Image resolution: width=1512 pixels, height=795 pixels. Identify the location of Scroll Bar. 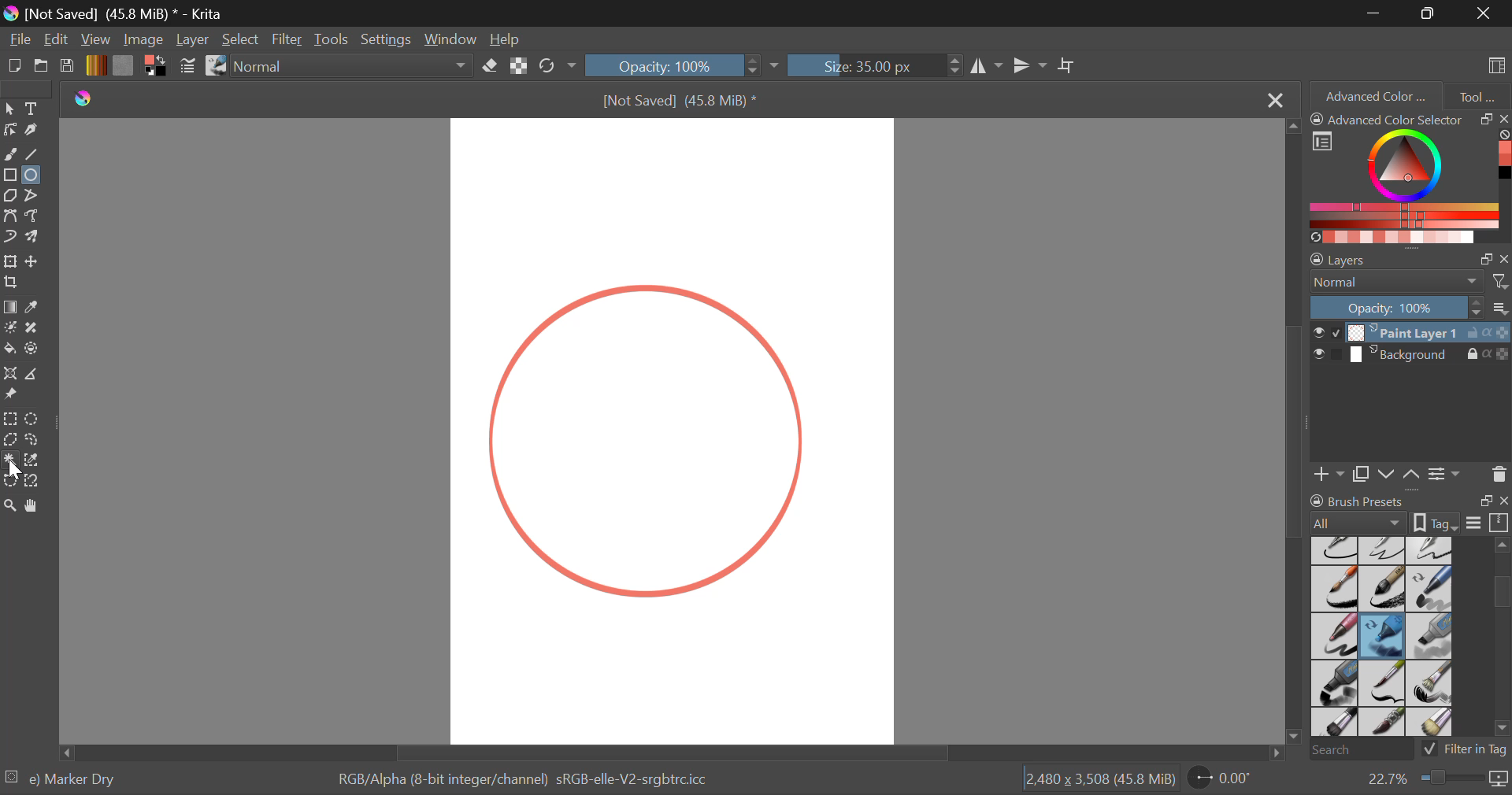
(1296, 434).